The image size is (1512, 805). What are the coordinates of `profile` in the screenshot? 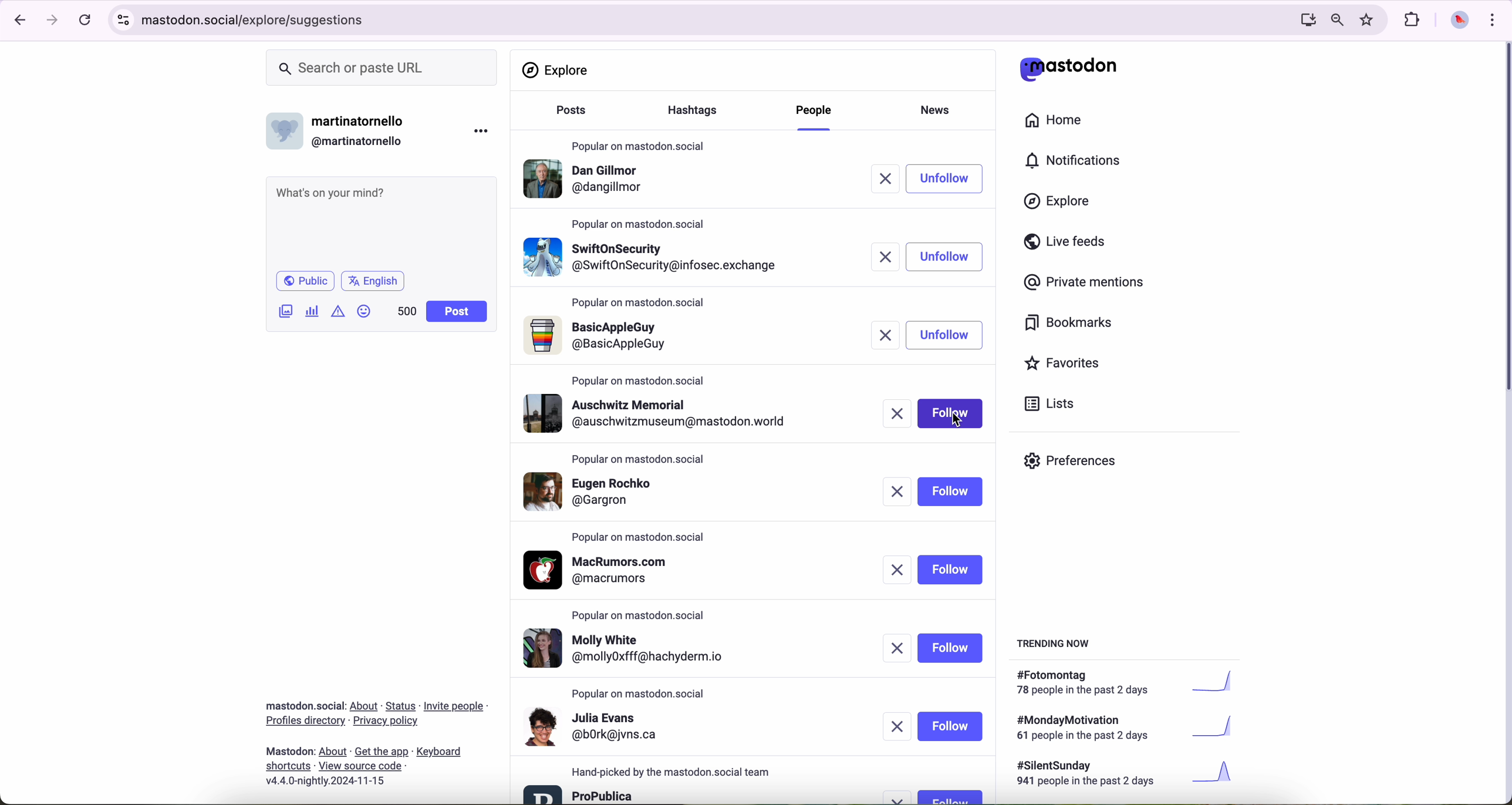 It's located at (588, 181).